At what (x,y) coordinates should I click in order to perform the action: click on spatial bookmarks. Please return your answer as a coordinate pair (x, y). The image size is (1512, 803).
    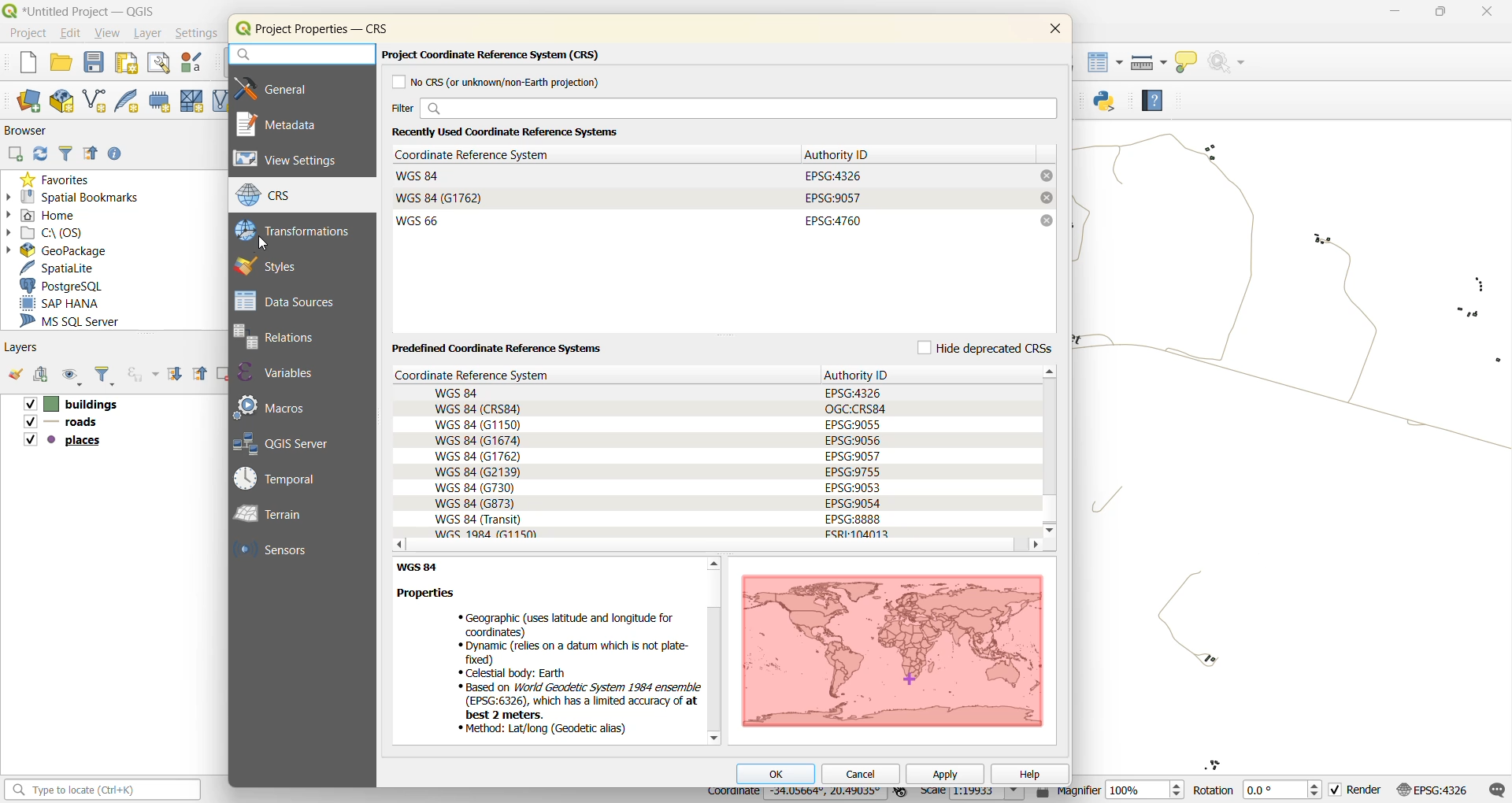
    Looking at the image, I should click on (74, 197).